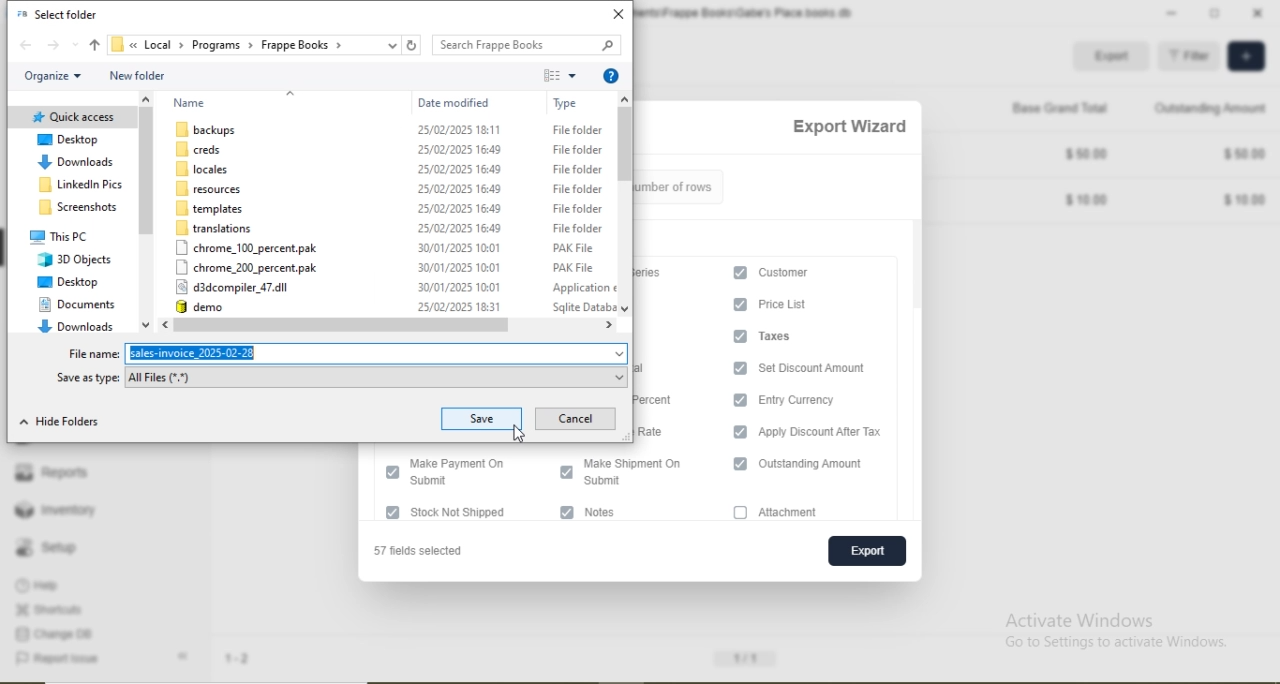 The width and height of the screenshot is (1280, 684). I want to click on File folder, so click(579, 170).